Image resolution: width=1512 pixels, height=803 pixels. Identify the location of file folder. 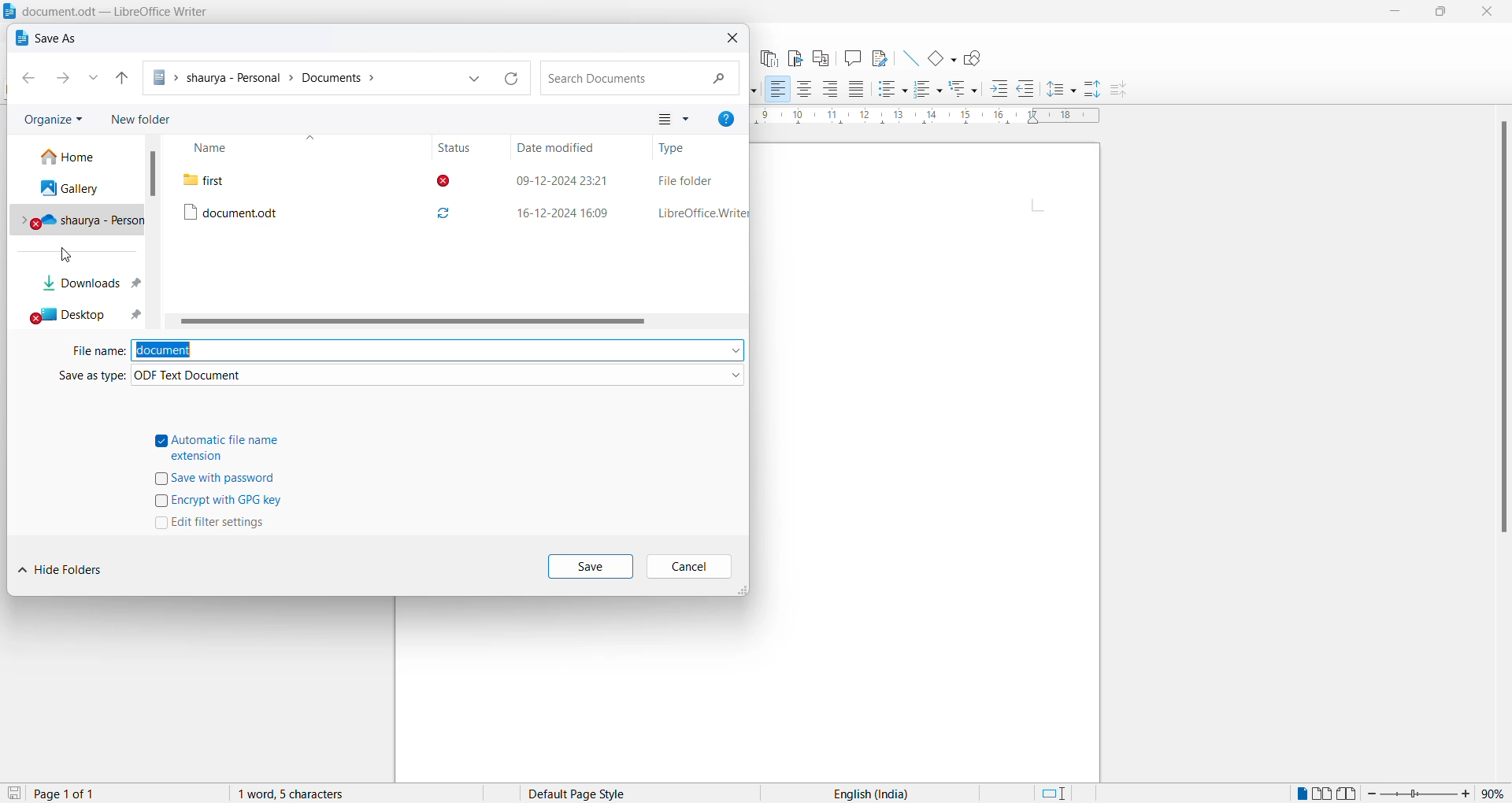
(687, 178).